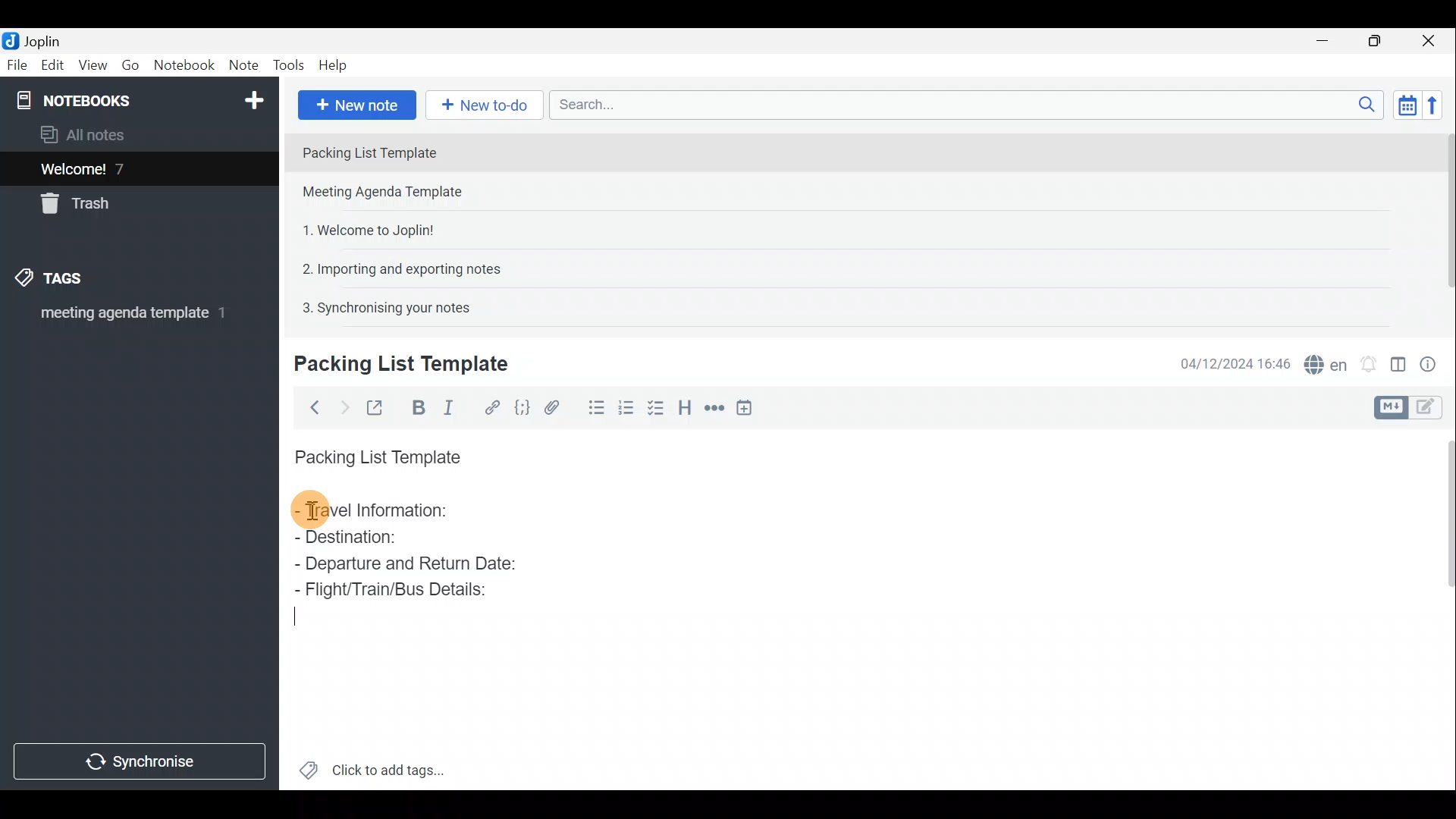  What do you see at coordinates (1398, 359) in the screenshot?
I see `Toggle editor layout` at bounding box center [1398, 359].